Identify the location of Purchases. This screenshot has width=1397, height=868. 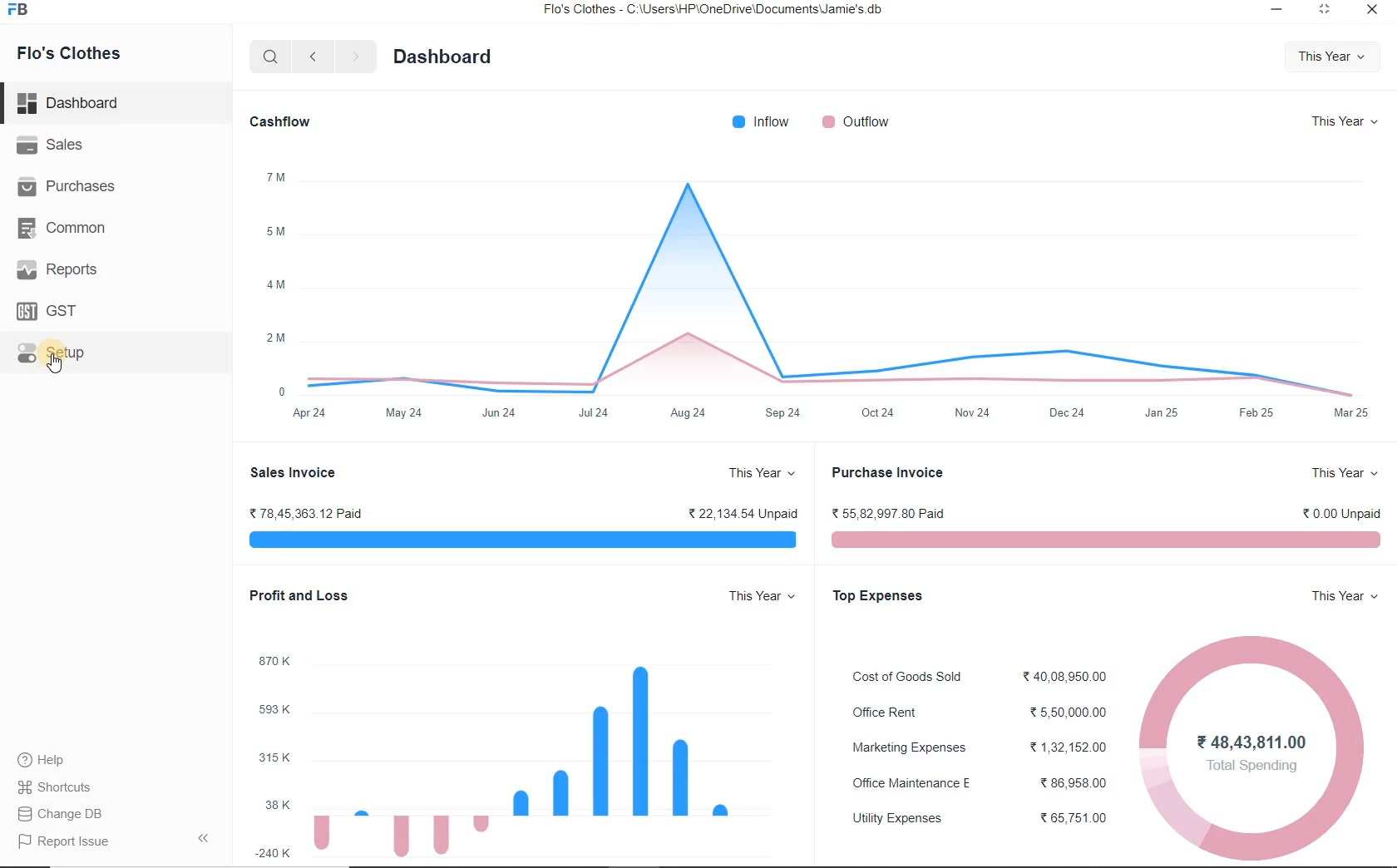
(70, 186).